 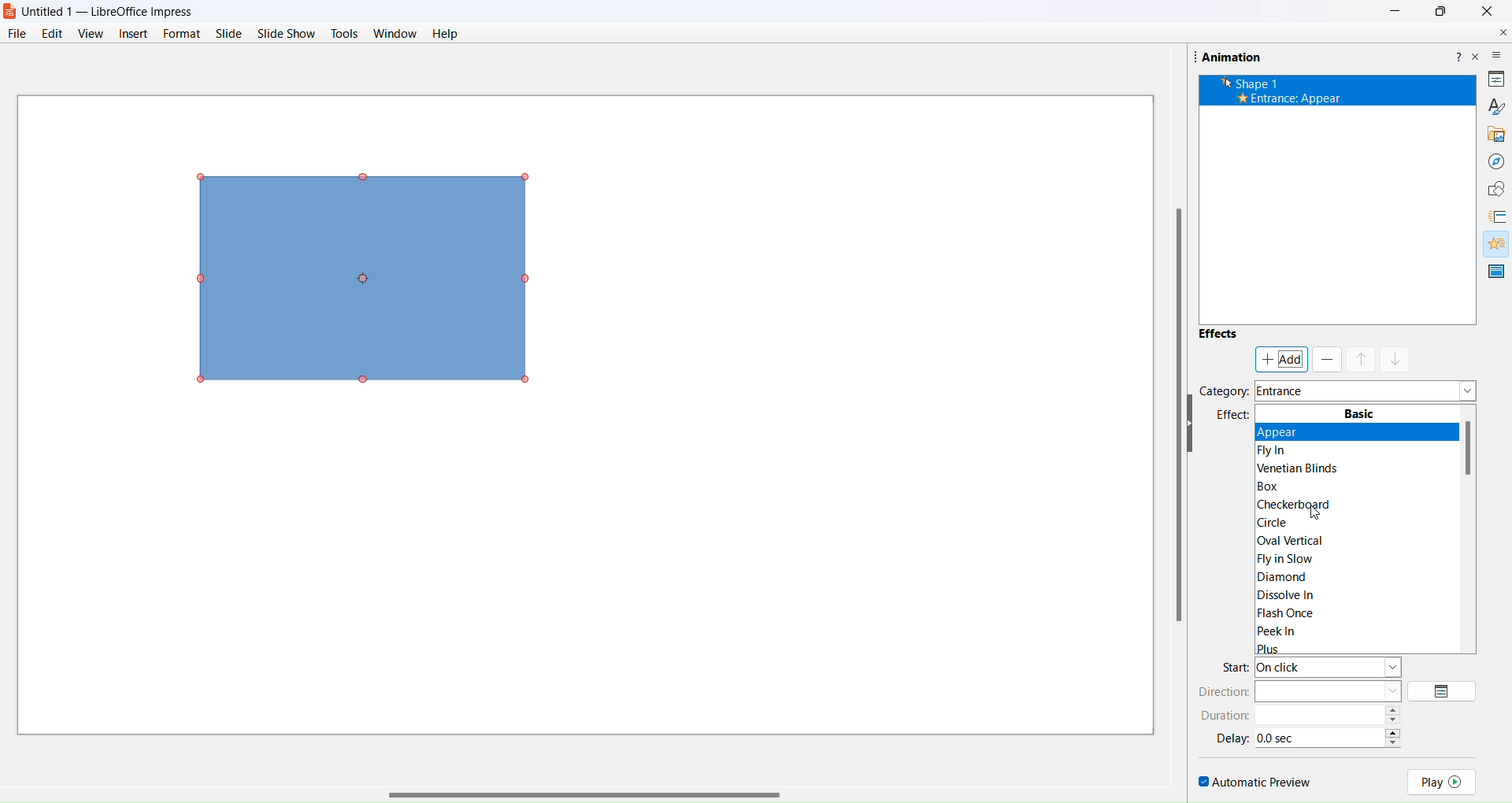 I want to click on category, so click(x=1224, y=390).